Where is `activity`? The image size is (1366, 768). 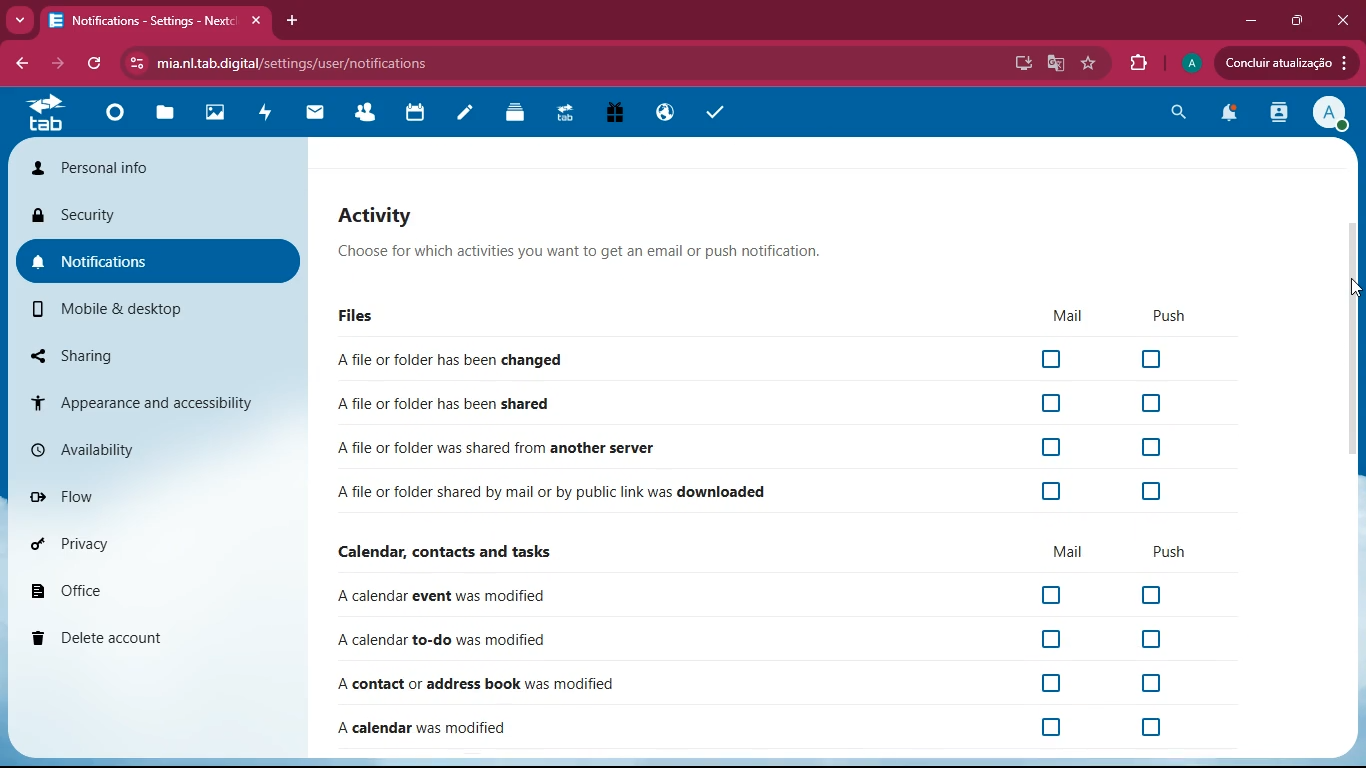
activity is located at coordinates (1281, 115).